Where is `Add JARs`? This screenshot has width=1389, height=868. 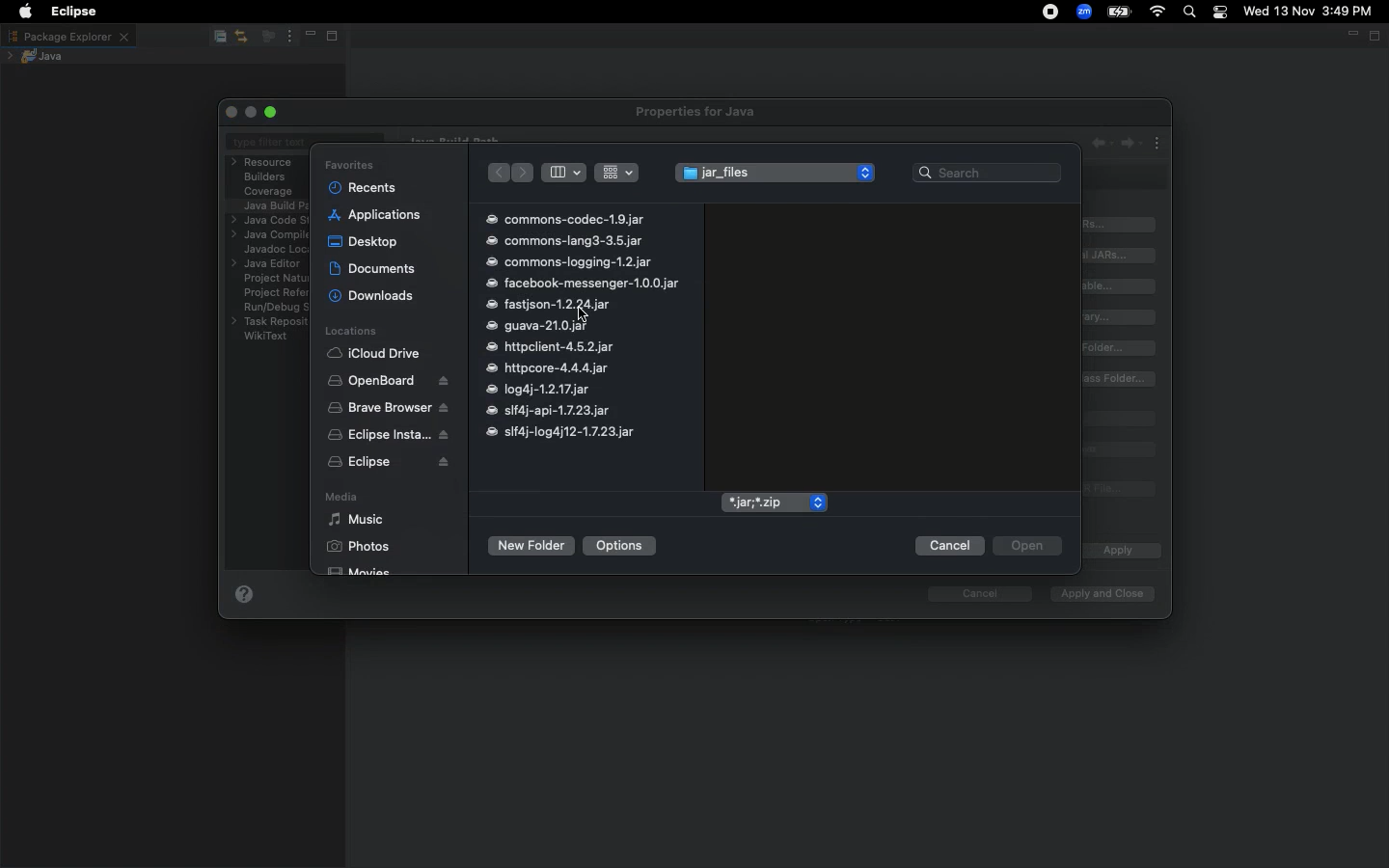 Add JARs is located at coordinates (1121, 225).